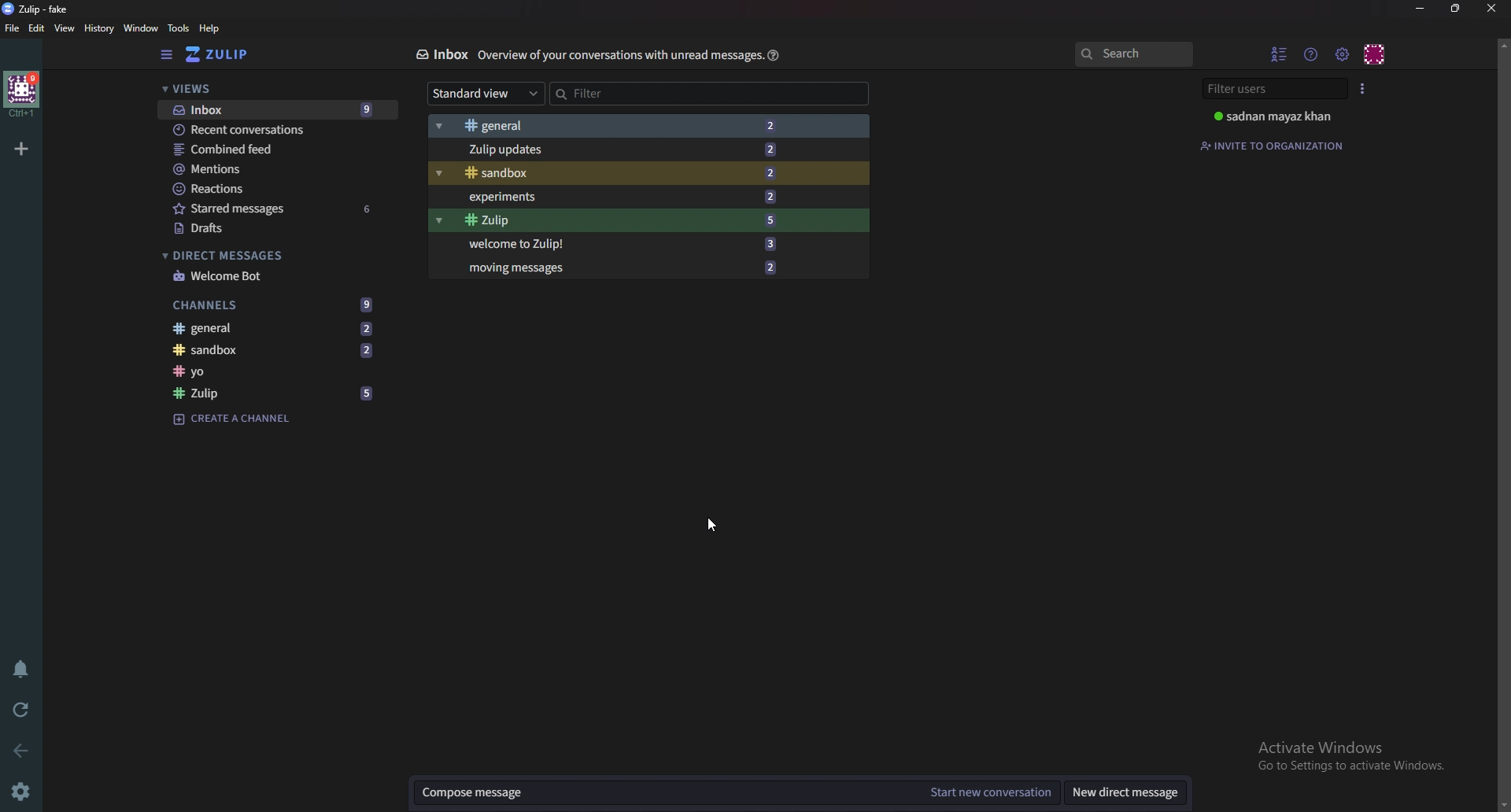 This screenshot has height=812, width=1511. I want to click on Compose message, so click(664, 794).